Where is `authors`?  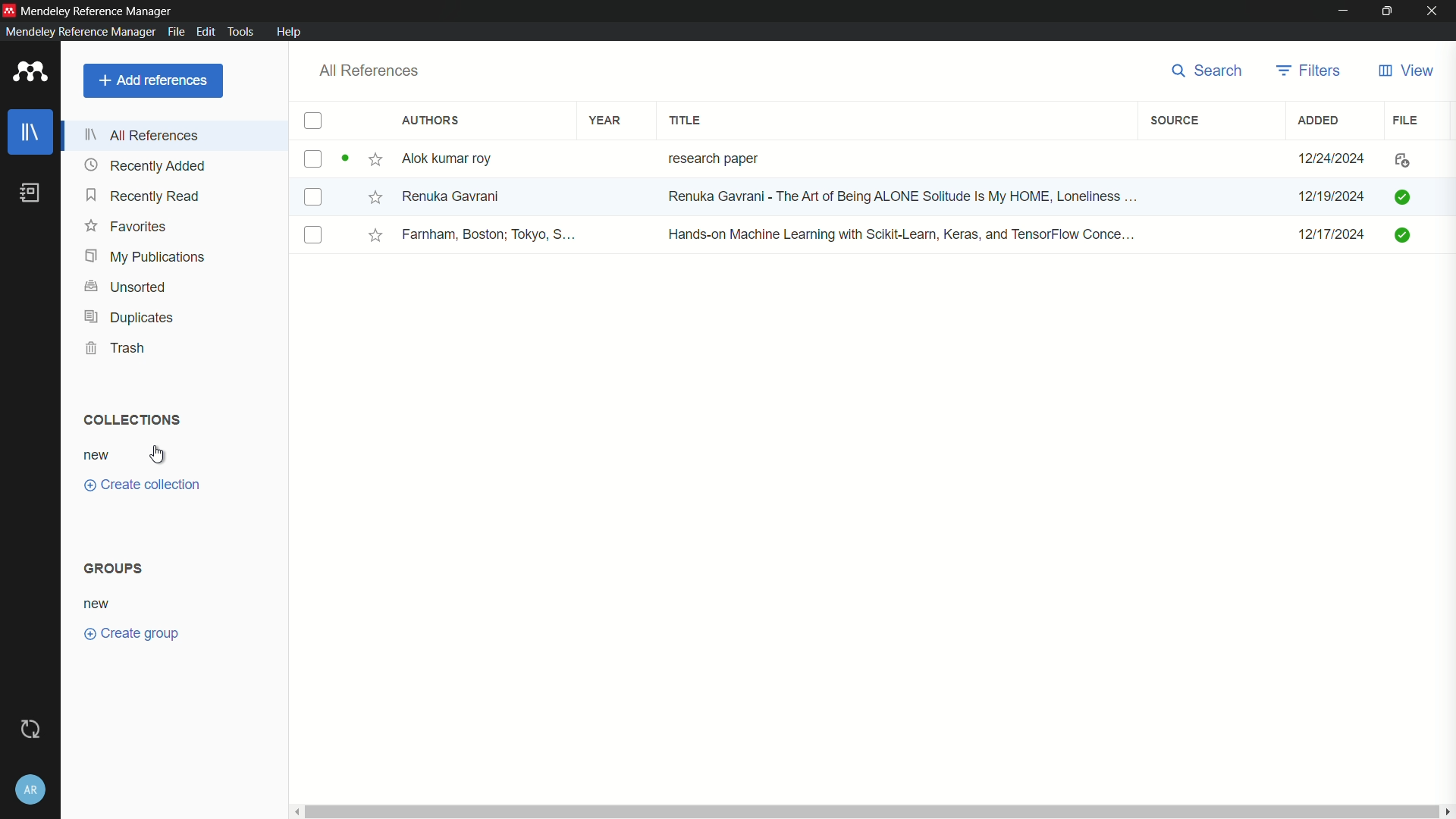 authors is located at coordinates (434, 121).